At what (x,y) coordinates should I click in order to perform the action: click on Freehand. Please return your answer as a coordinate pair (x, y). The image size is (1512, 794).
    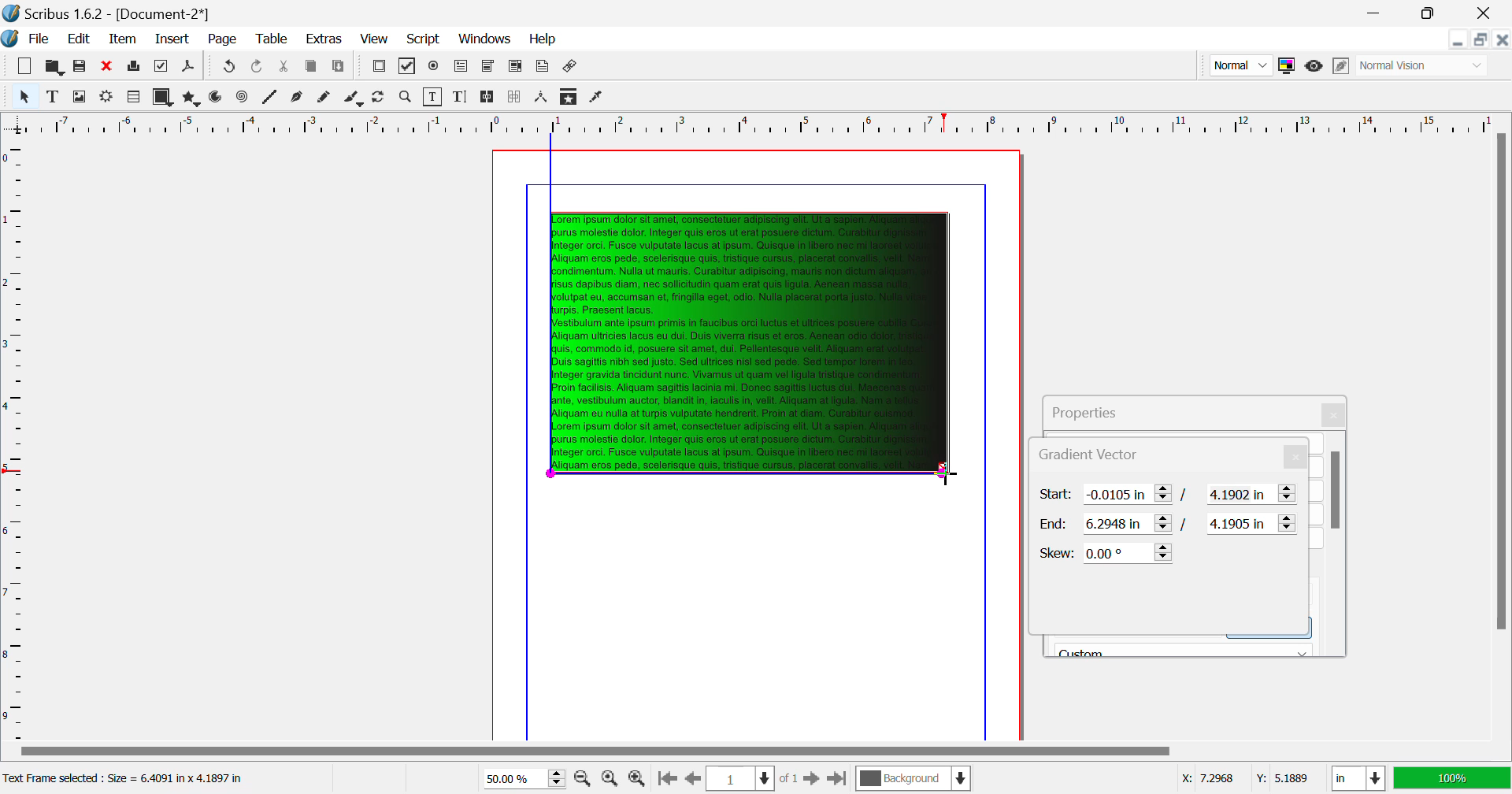
    Looking at the image, I should click on (326, 98).